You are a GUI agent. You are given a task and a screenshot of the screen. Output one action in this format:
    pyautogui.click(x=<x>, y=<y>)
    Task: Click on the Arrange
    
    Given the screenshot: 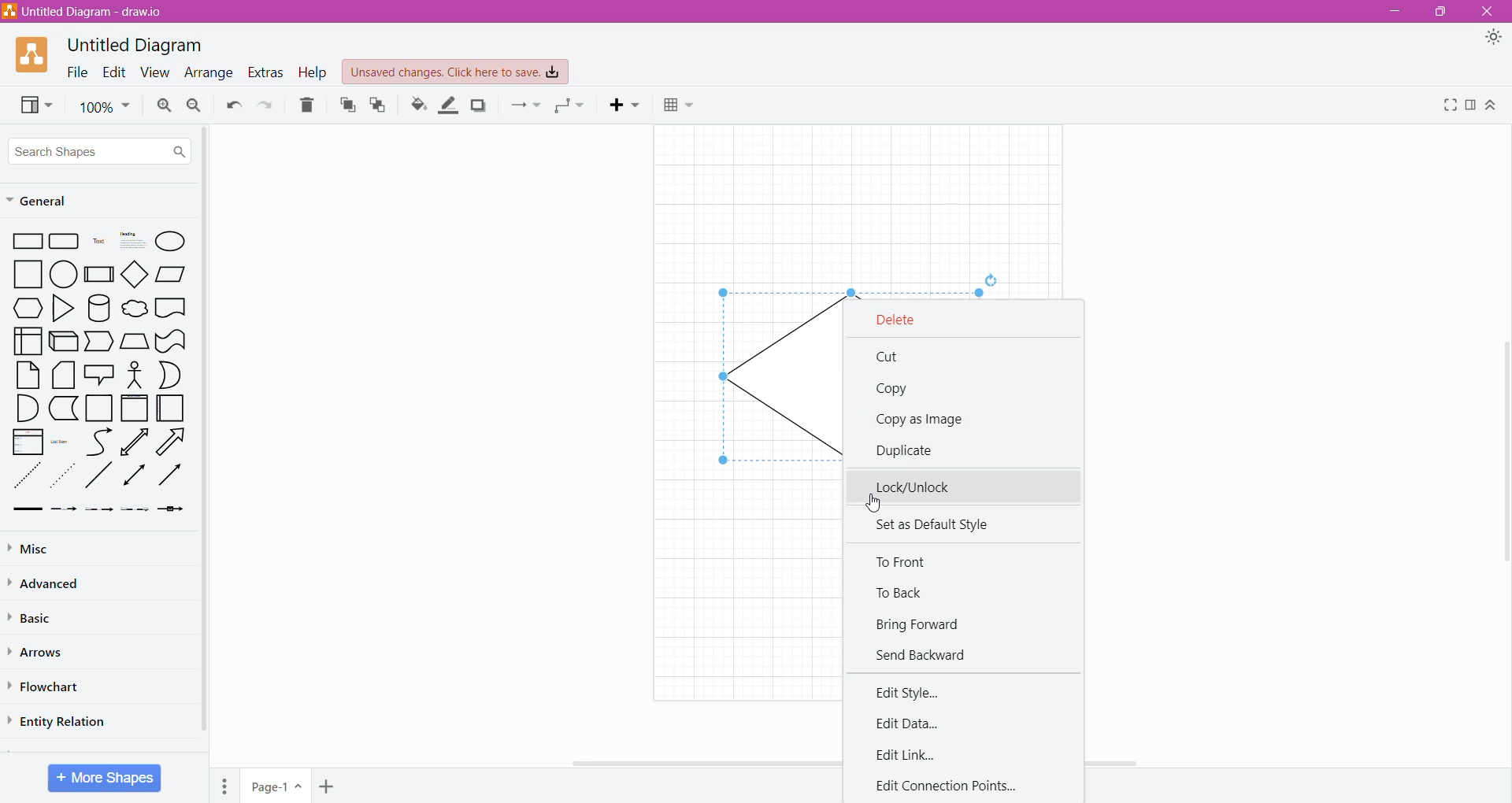 What is the action you would take?
    pyautogui.click(x=209, y=74)
    